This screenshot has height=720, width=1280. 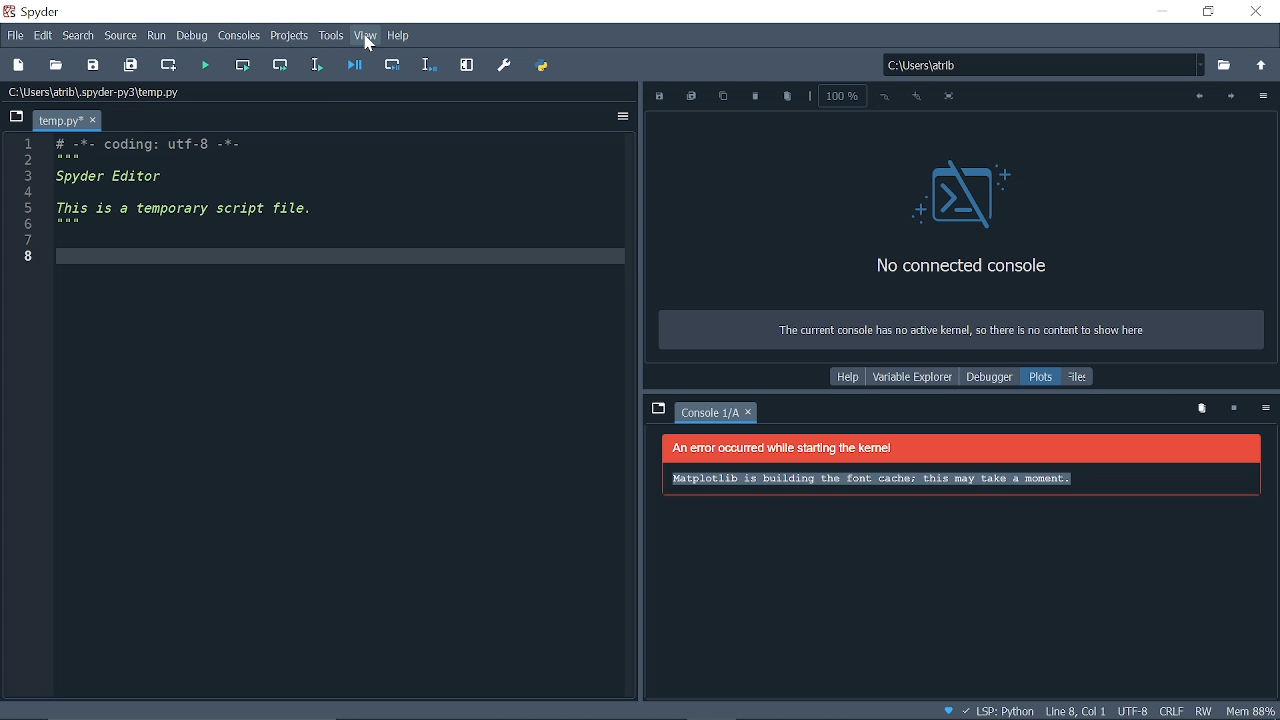 What do you see at coordinates (122, 36) in the screenshot?
I see `Source` at bounding box center [122, 36].